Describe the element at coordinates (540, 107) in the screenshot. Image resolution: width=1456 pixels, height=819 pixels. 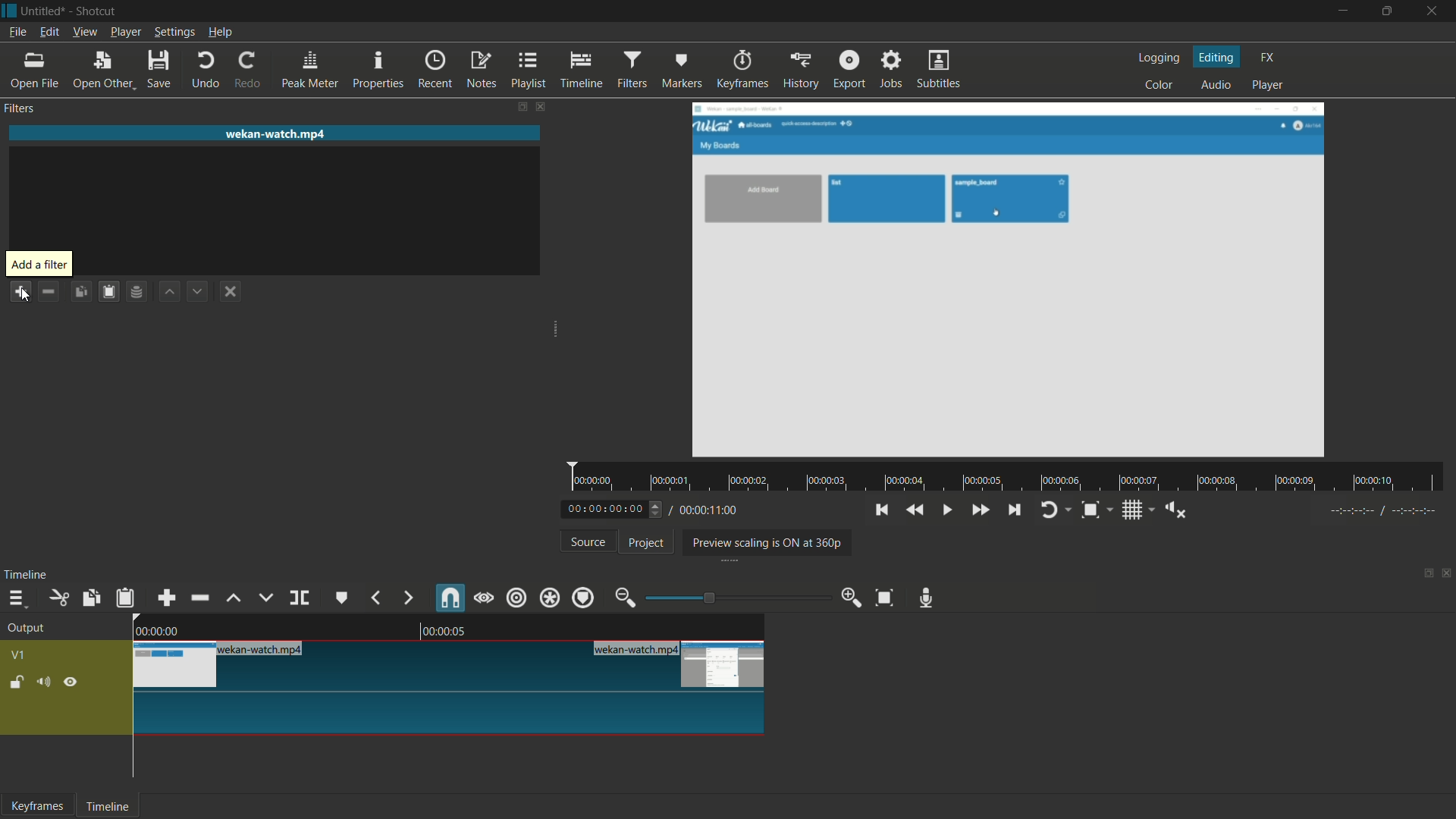
I see `close filter` at that location.